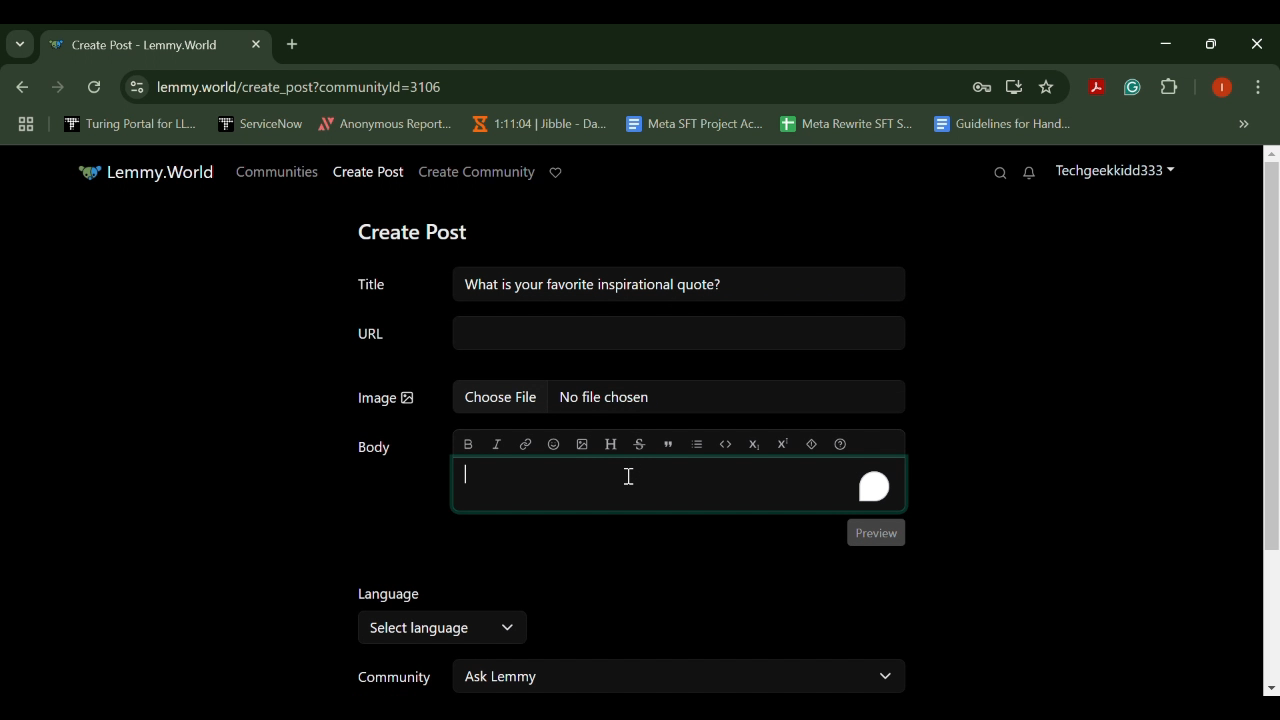  Describe the element at coordinates (628, 478) in the screenshot. I see `Cursor on Post Body Textbox` at that location.